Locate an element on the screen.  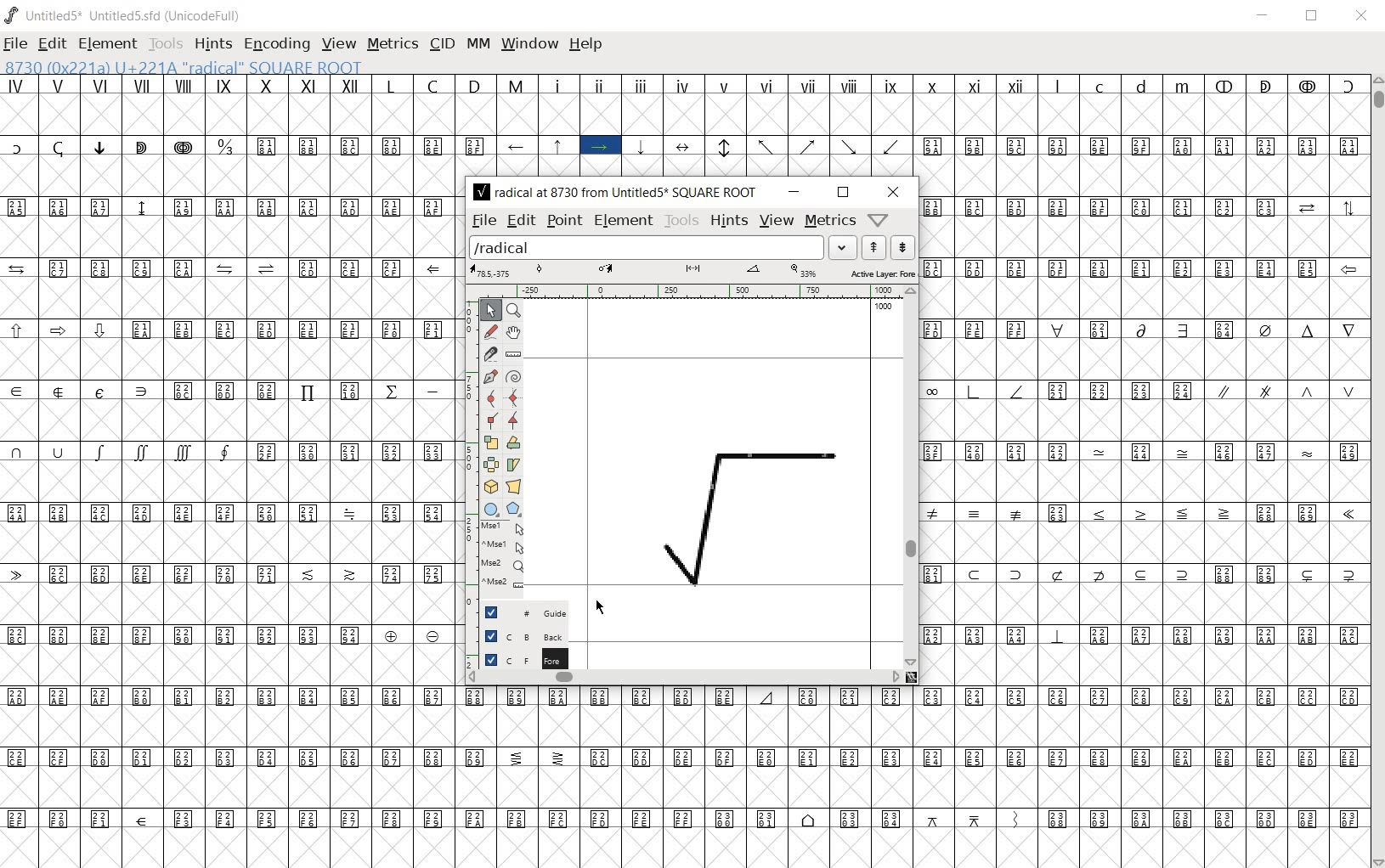
Add a corner point is located at coordinates (491, 419).